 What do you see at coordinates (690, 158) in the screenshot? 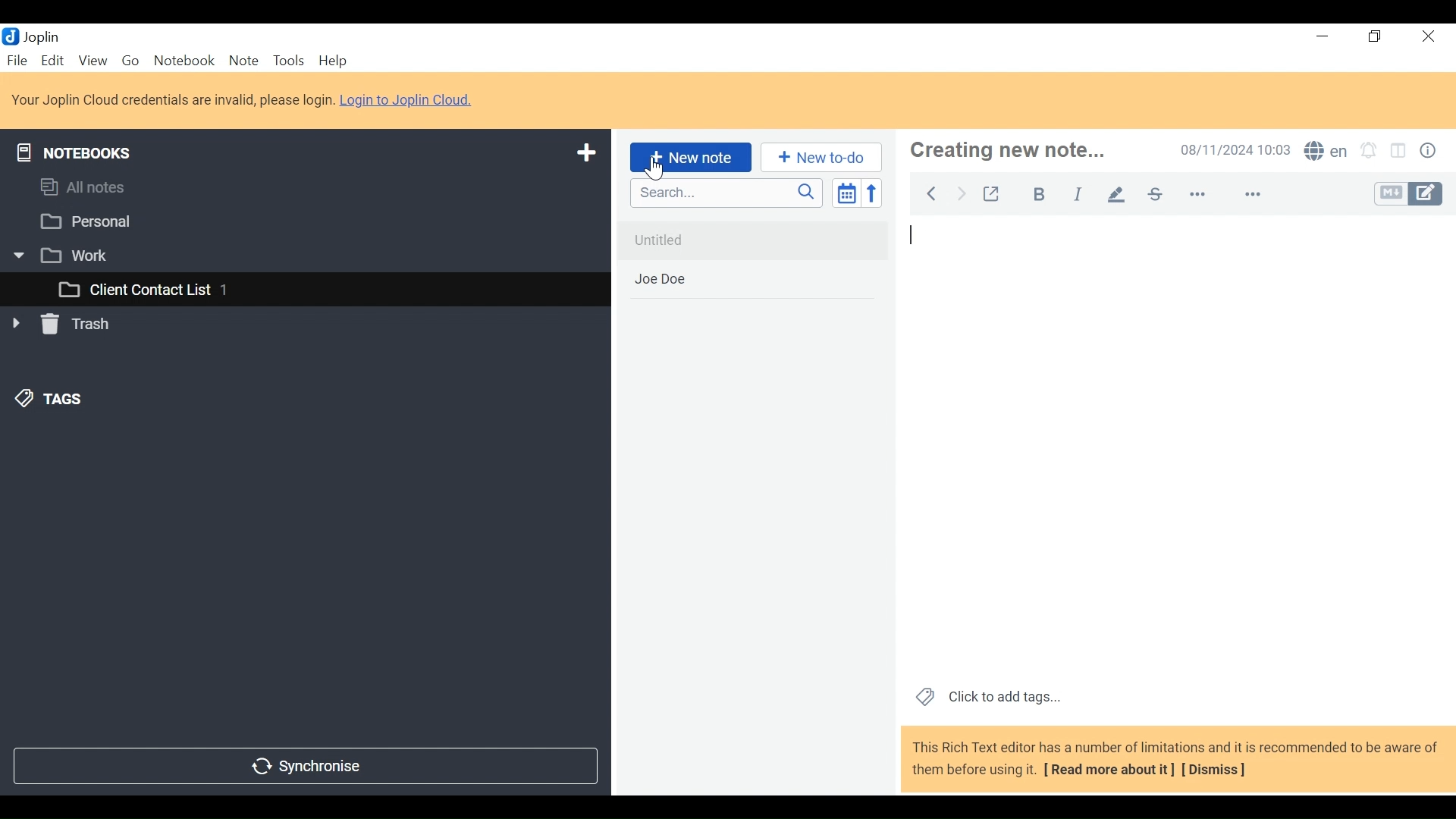
I see `Add New Note` at bounding box center [690, 158].